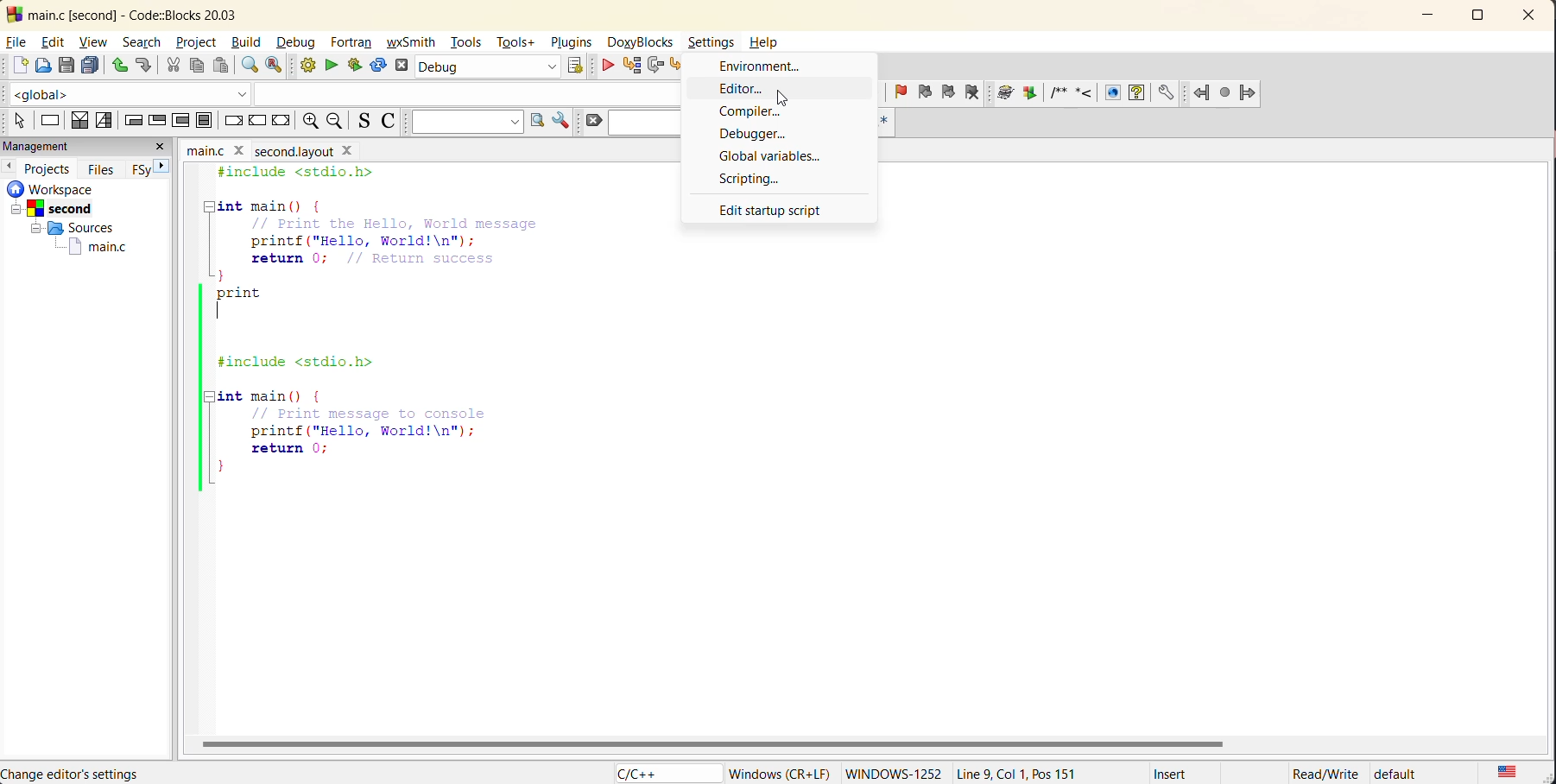 The width and height of the screenshot is (1556, 784). I want to click on search, so click(145, 42).